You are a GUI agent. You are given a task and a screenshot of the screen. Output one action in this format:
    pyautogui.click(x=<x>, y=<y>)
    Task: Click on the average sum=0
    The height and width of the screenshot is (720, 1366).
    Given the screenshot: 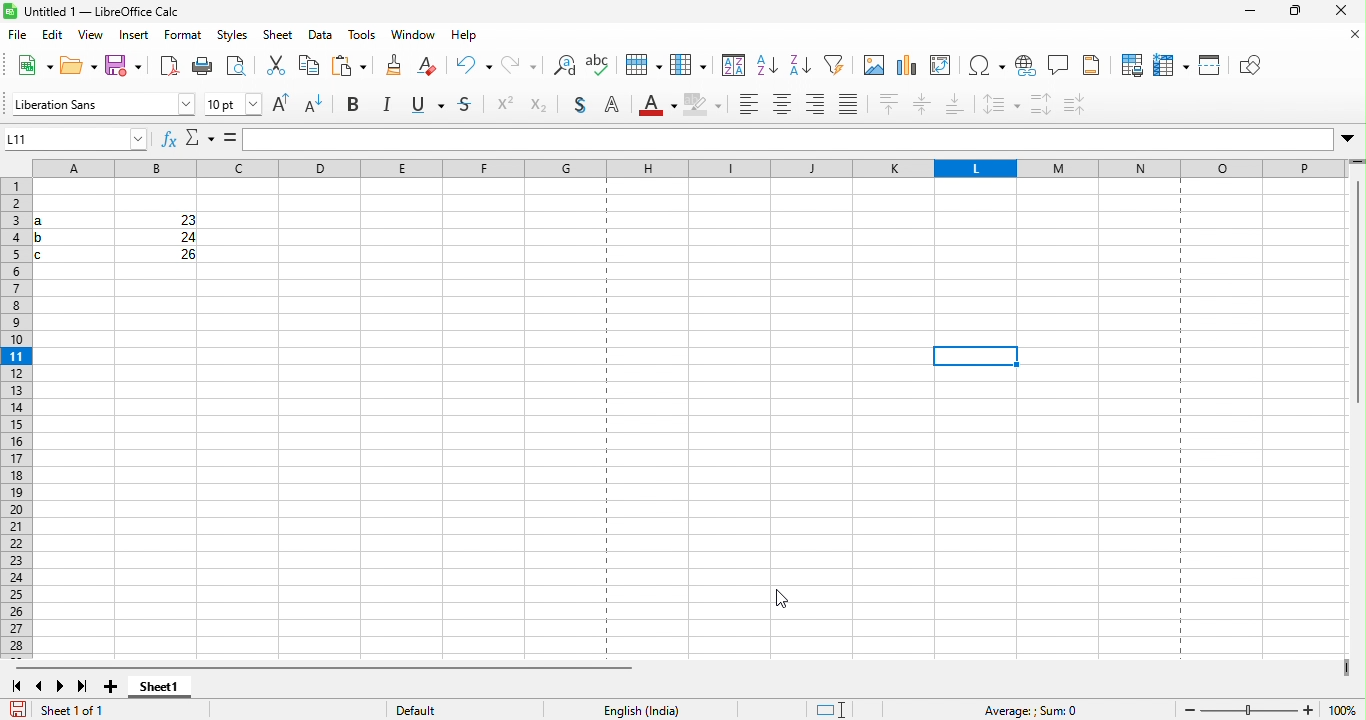 What is the action you would take?
    pyautogui.click(x=1027, y=708)
    